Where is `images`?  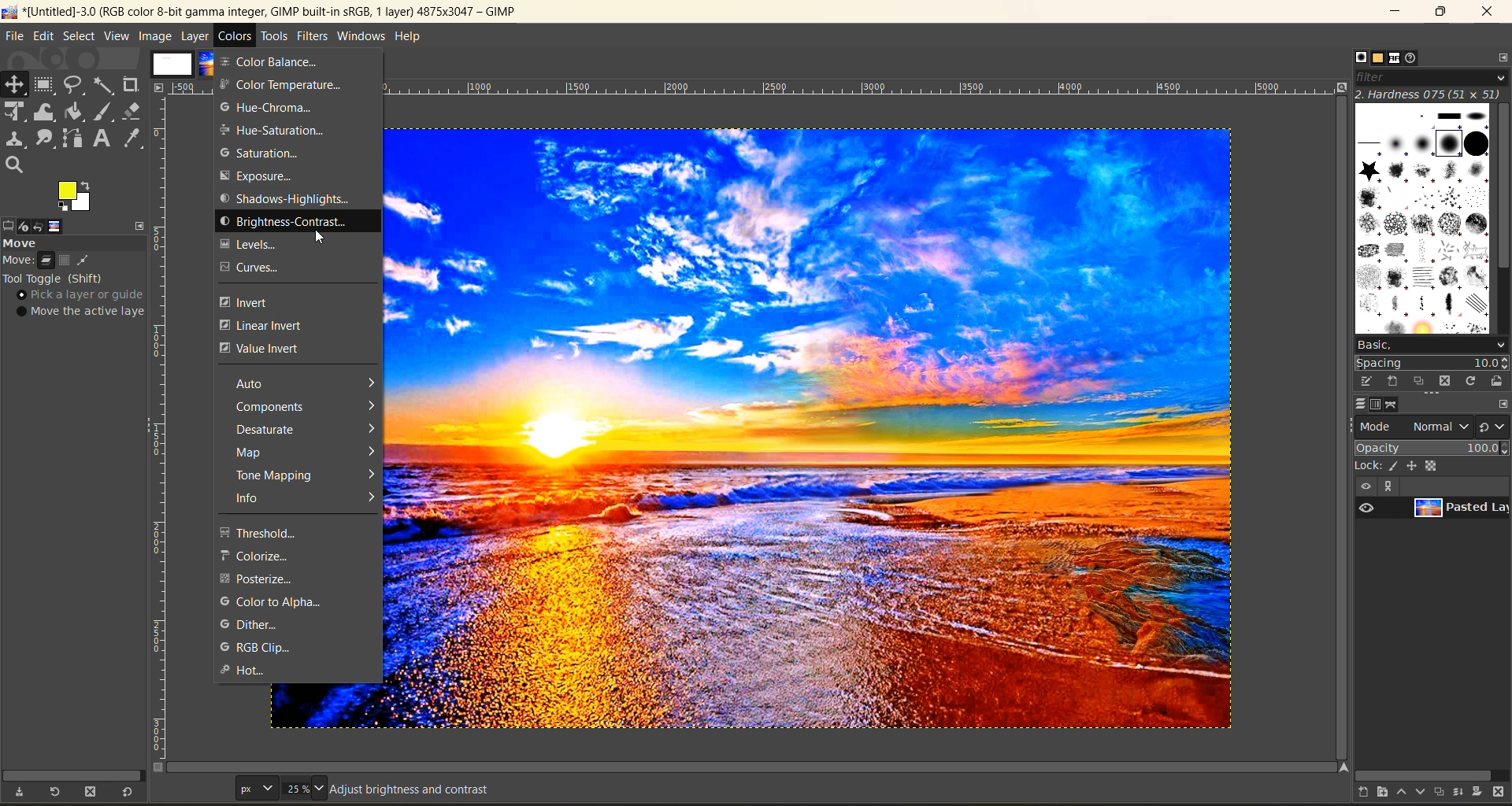 images is located at coordinates (55, 227).